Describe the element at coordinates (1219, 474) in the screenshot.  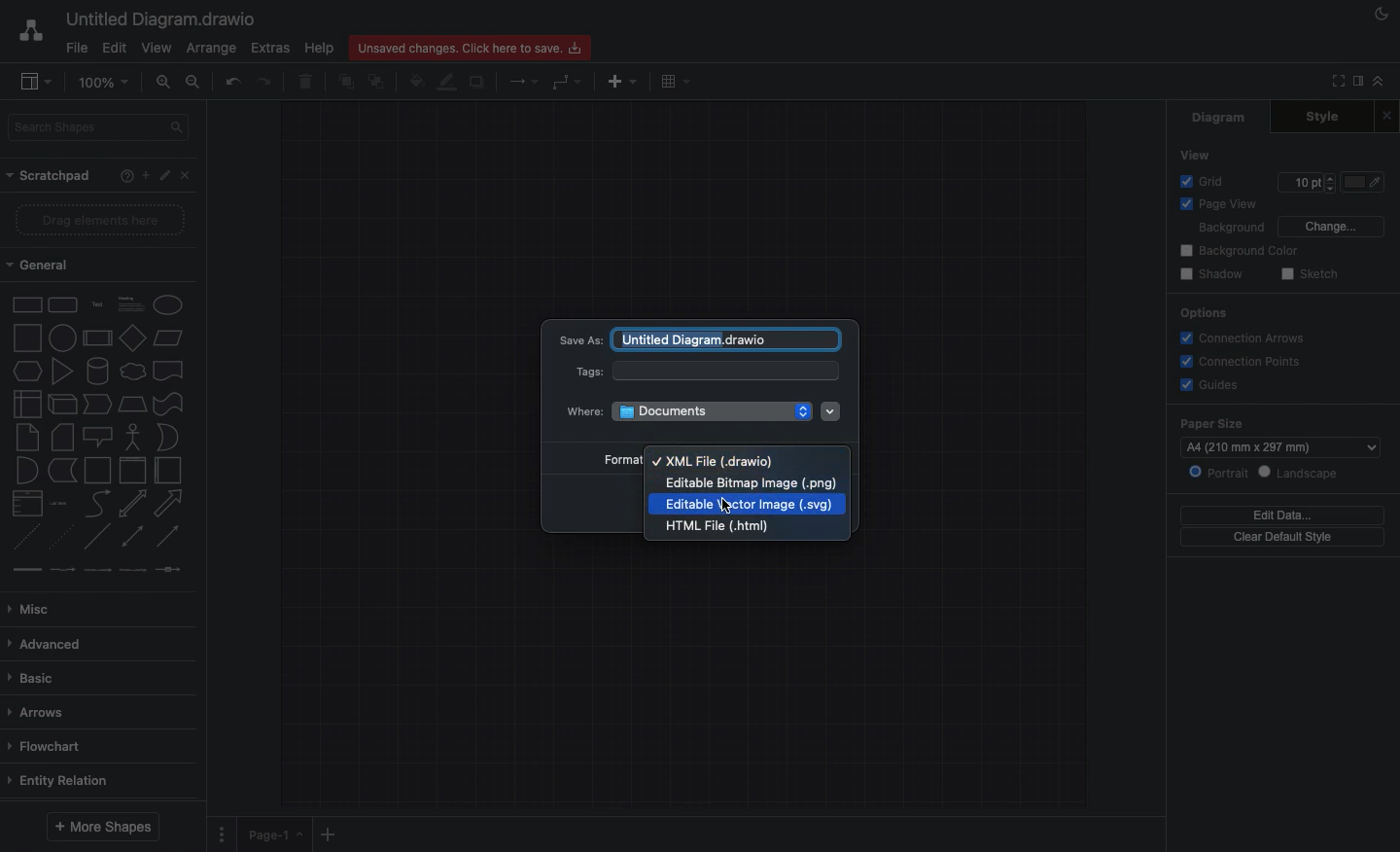
I see `Portrait ` at that location.